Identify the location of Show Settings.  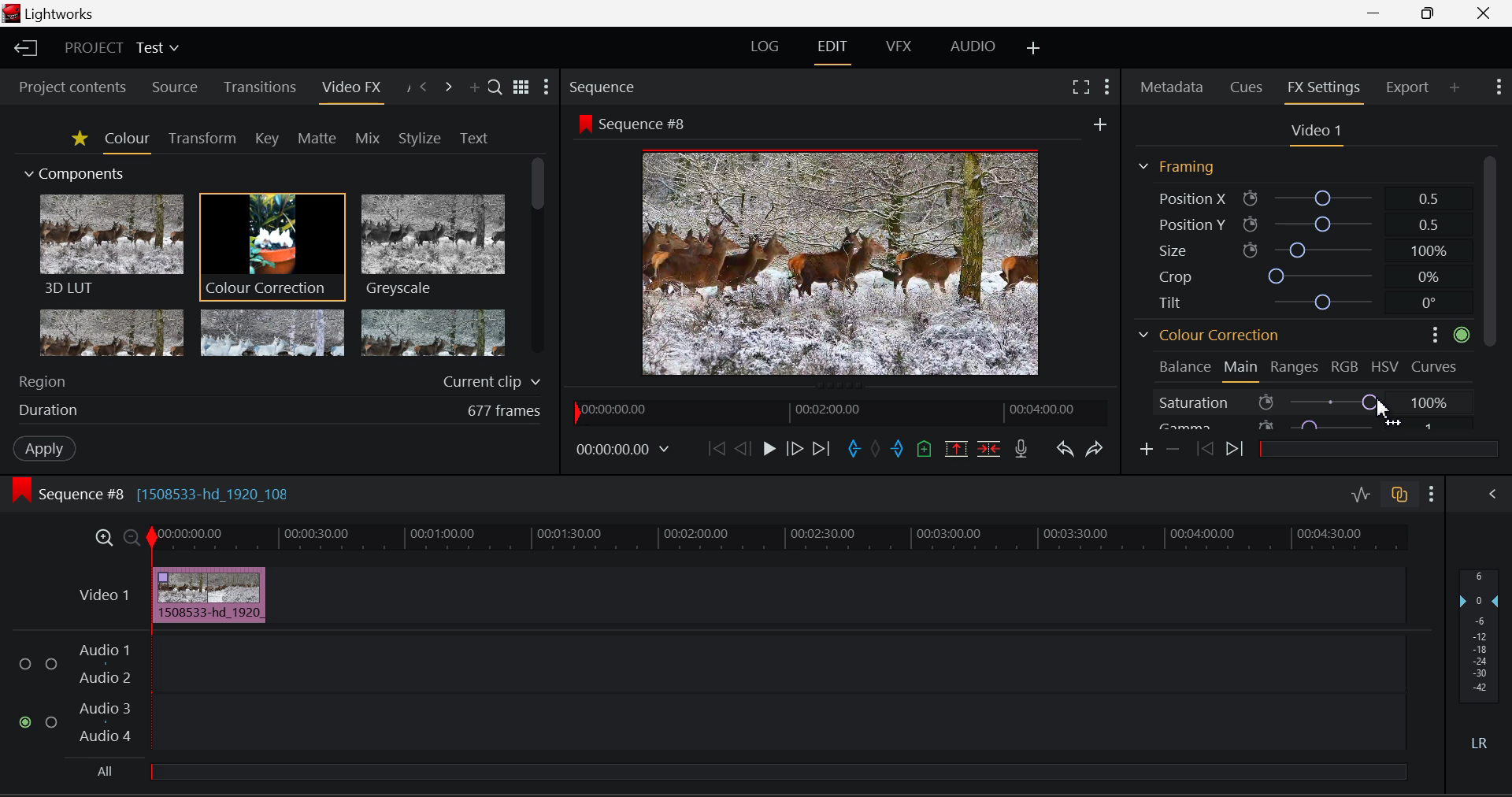
(547, 87).